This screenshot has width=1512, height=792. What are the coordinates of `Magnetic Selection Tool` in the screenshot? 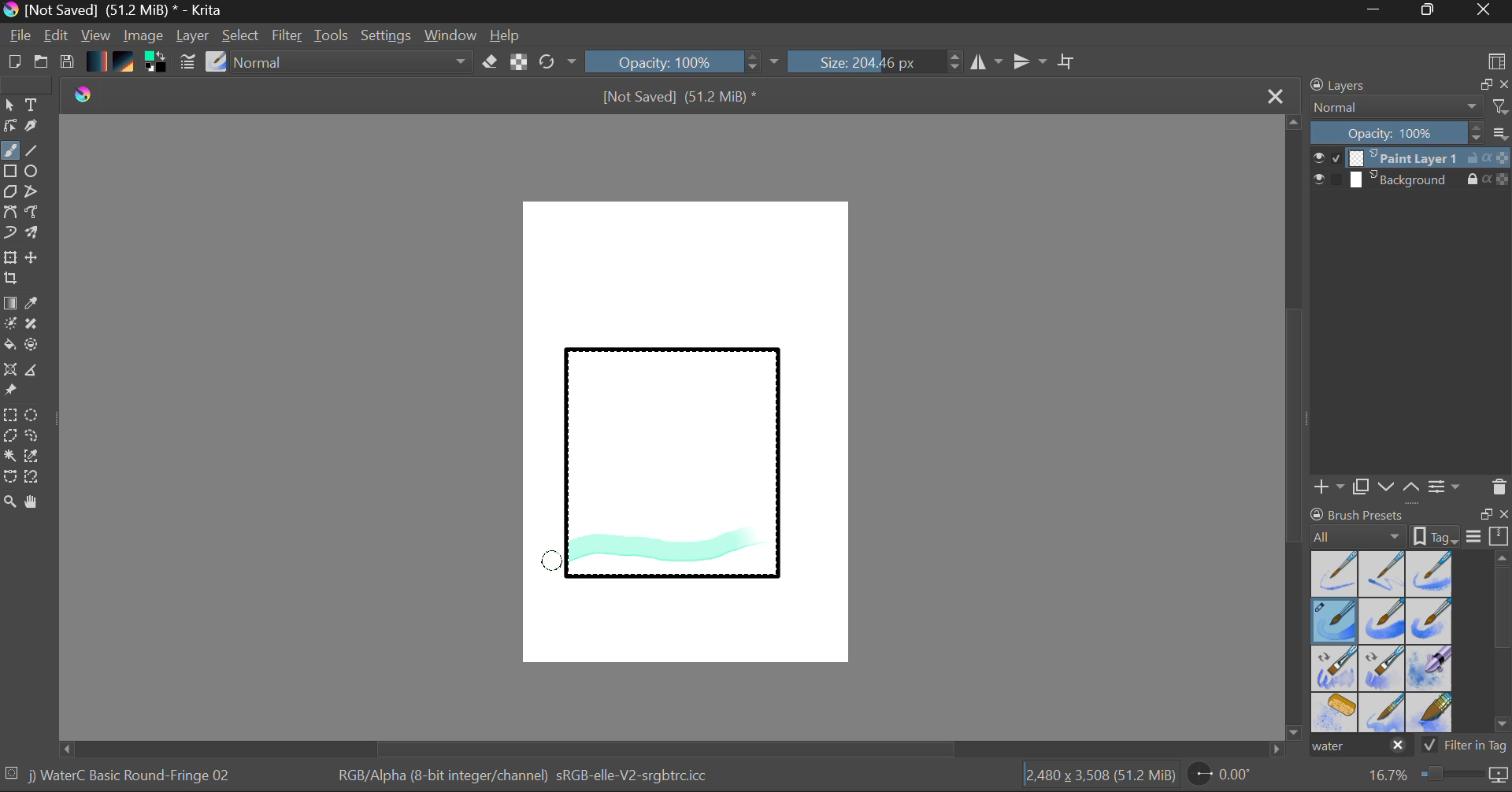 It's located at (32, 477).